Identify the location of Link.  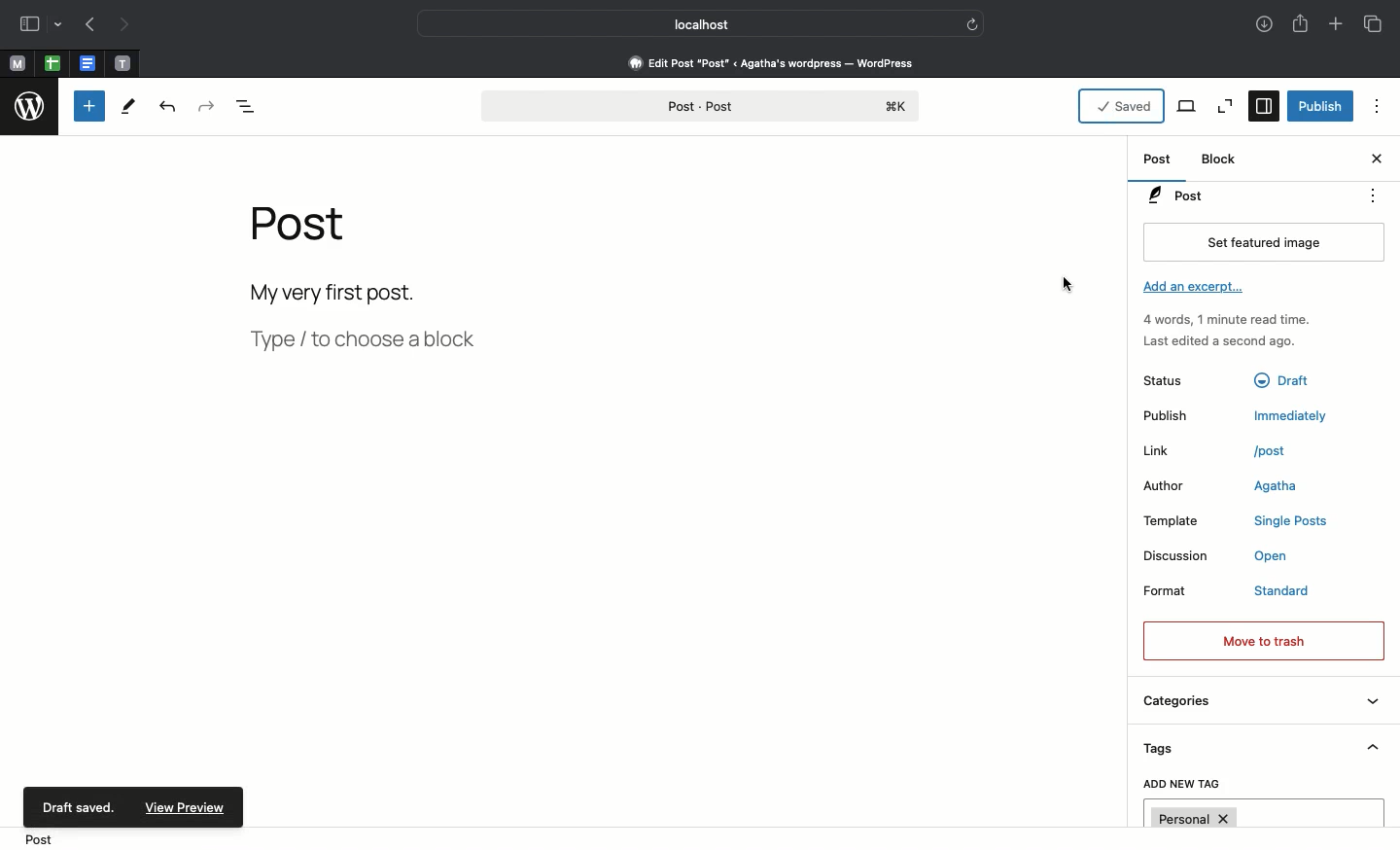
(1159, 449).